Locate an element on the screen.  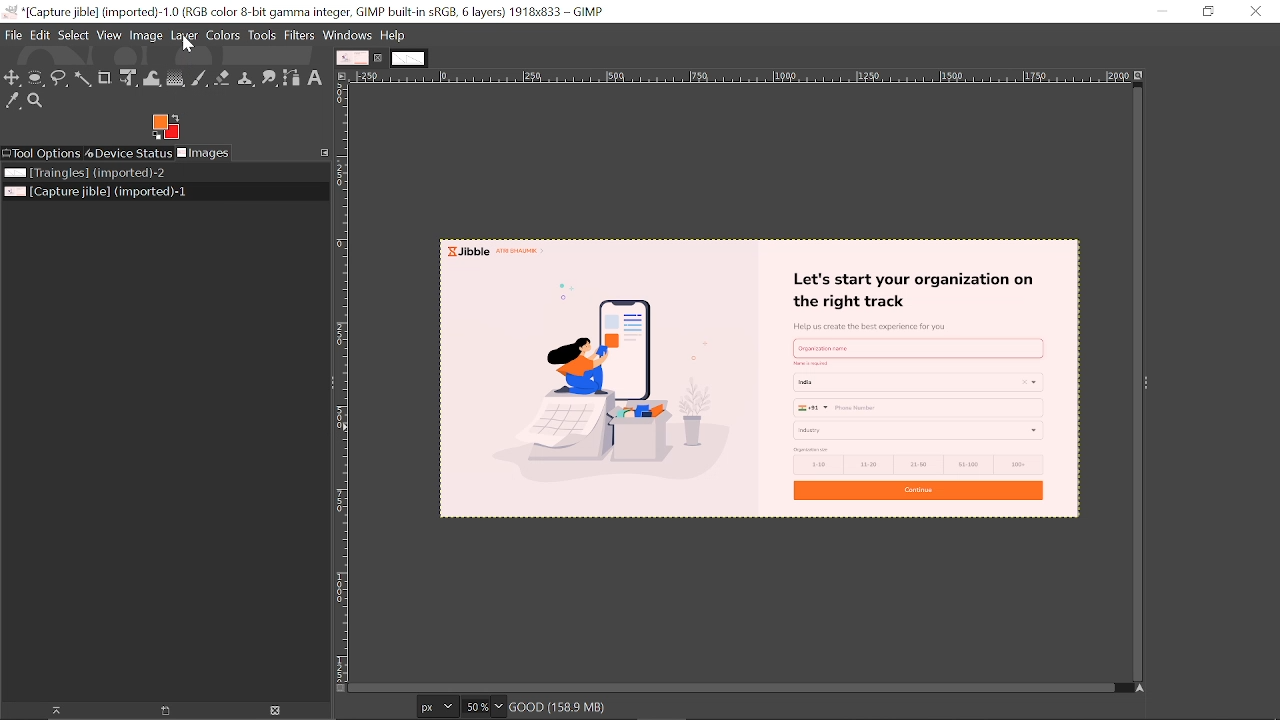
Colors is located at coordinates (224, 36).